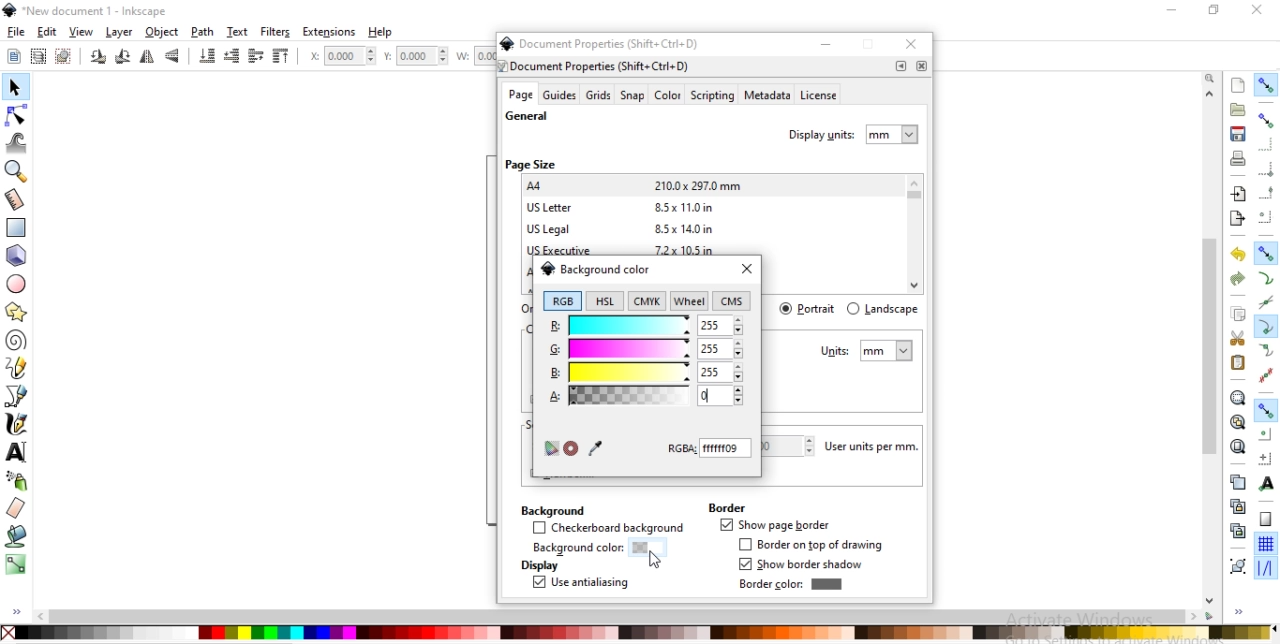  What do you see at coordinates (121, 58) in the screenshot?
I see `rotate 90 clockwise` at bounding box center [121, 58].